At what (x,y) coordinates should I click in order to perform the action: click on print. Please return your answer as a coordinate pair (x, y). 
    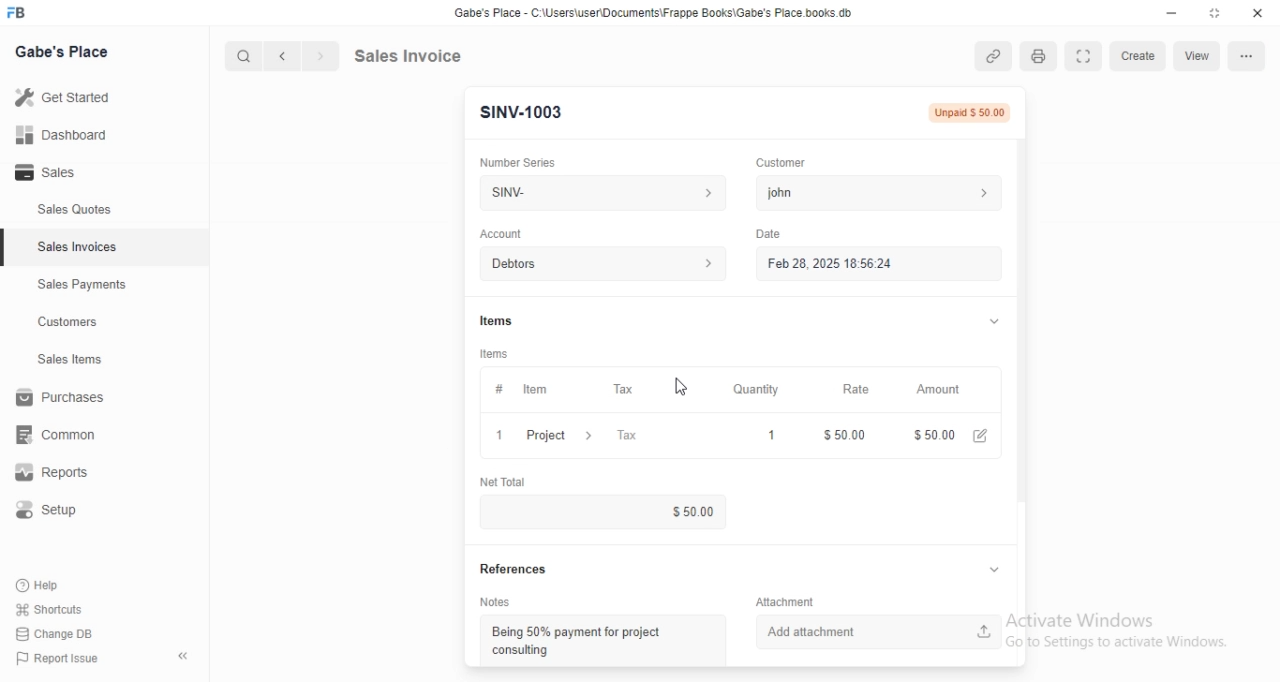
    Looking at the image, I should click on (1039, 55).